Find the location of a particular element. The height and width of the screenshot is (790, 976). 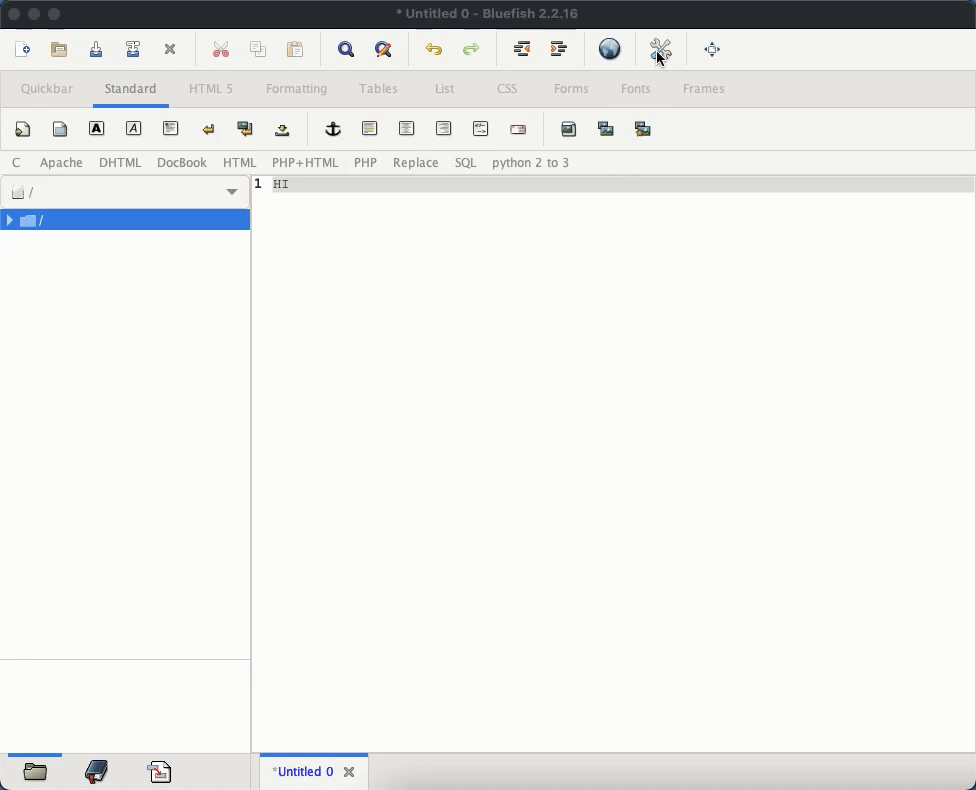

close is located at coordinates (14, 13).